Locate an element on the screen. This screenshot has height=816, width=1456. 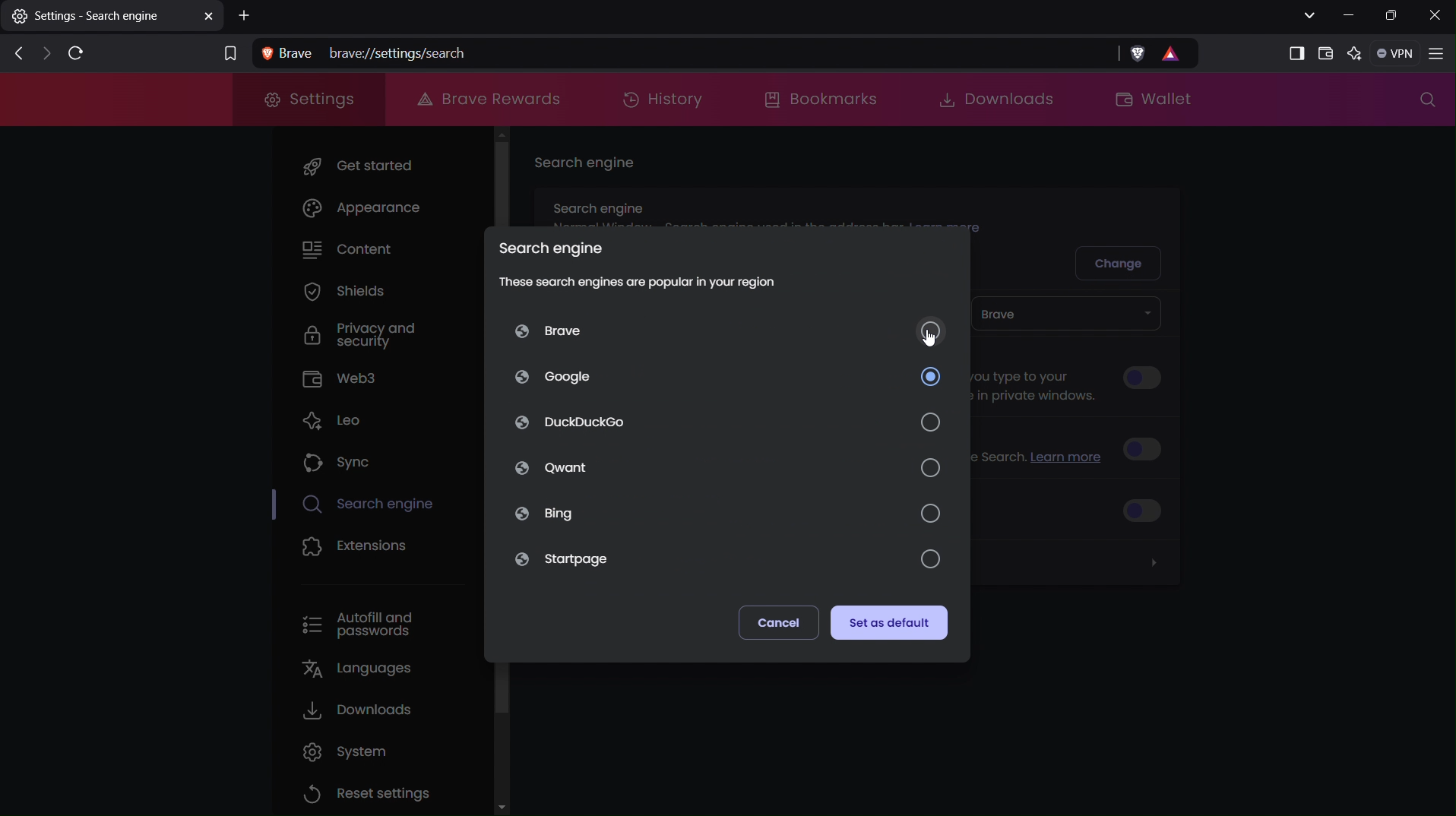
Qwant is located at coordinates (727, 467).